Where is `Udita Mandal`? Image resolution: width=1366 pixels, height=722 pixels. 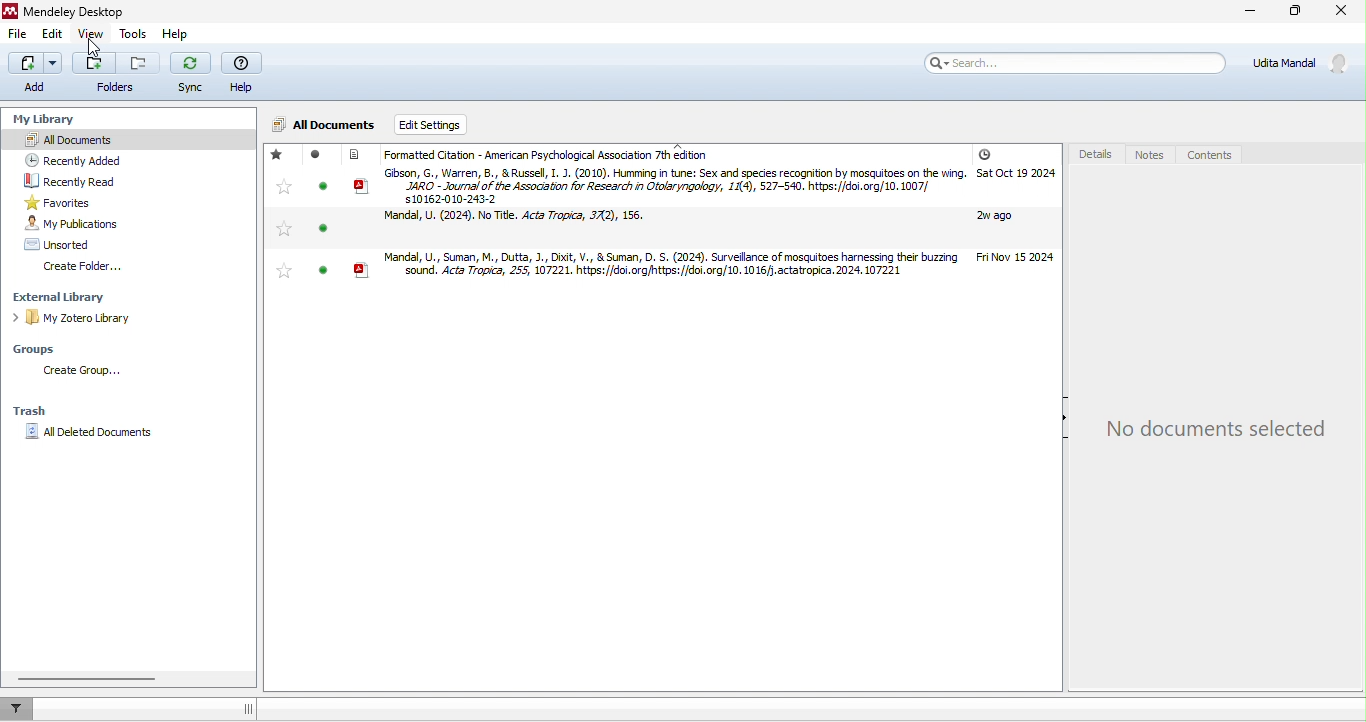
Udita Mandal is located at coordinates (1303, 64).